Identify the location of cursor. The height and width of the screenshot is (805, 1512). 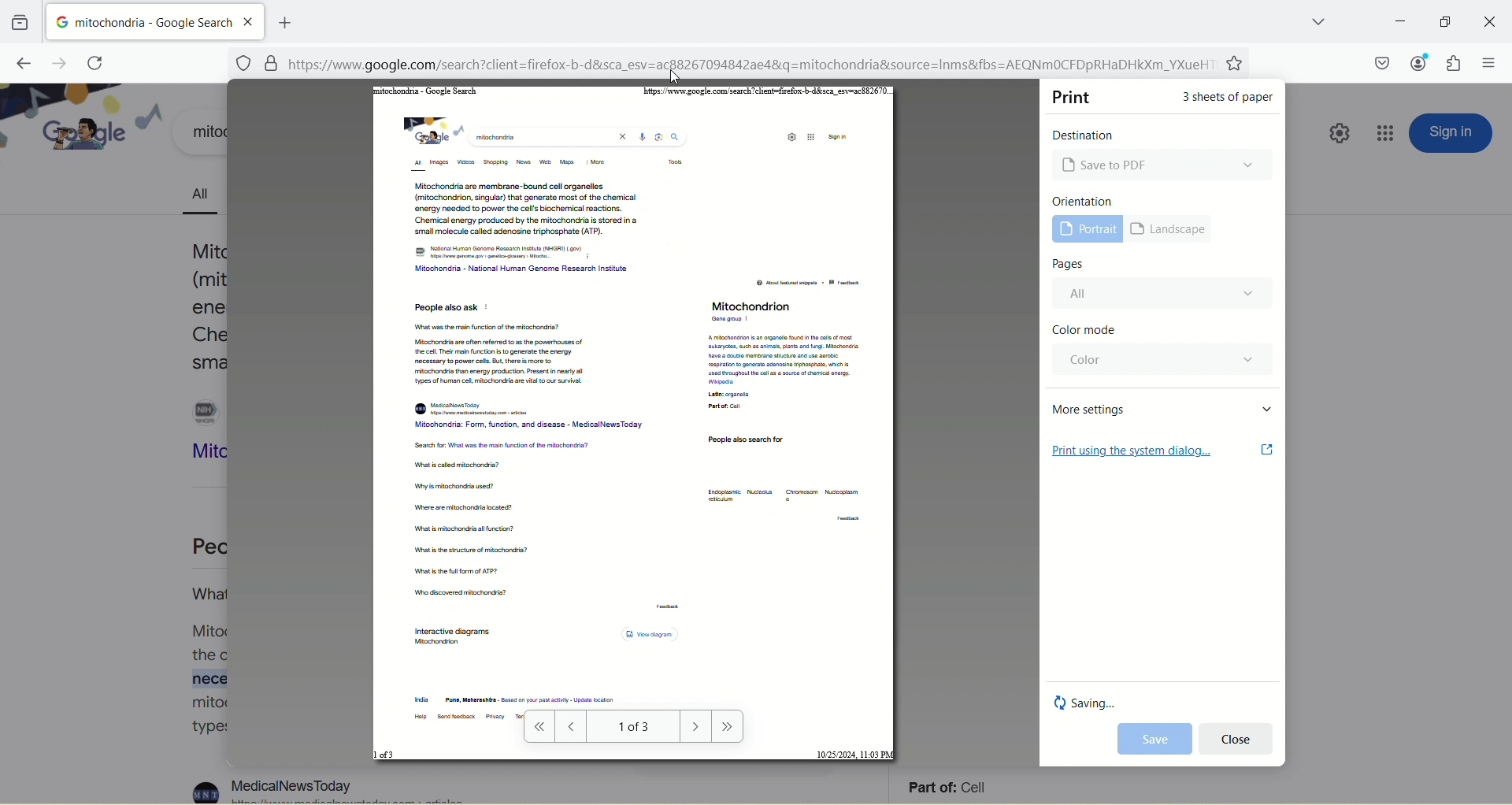
(677, 76).